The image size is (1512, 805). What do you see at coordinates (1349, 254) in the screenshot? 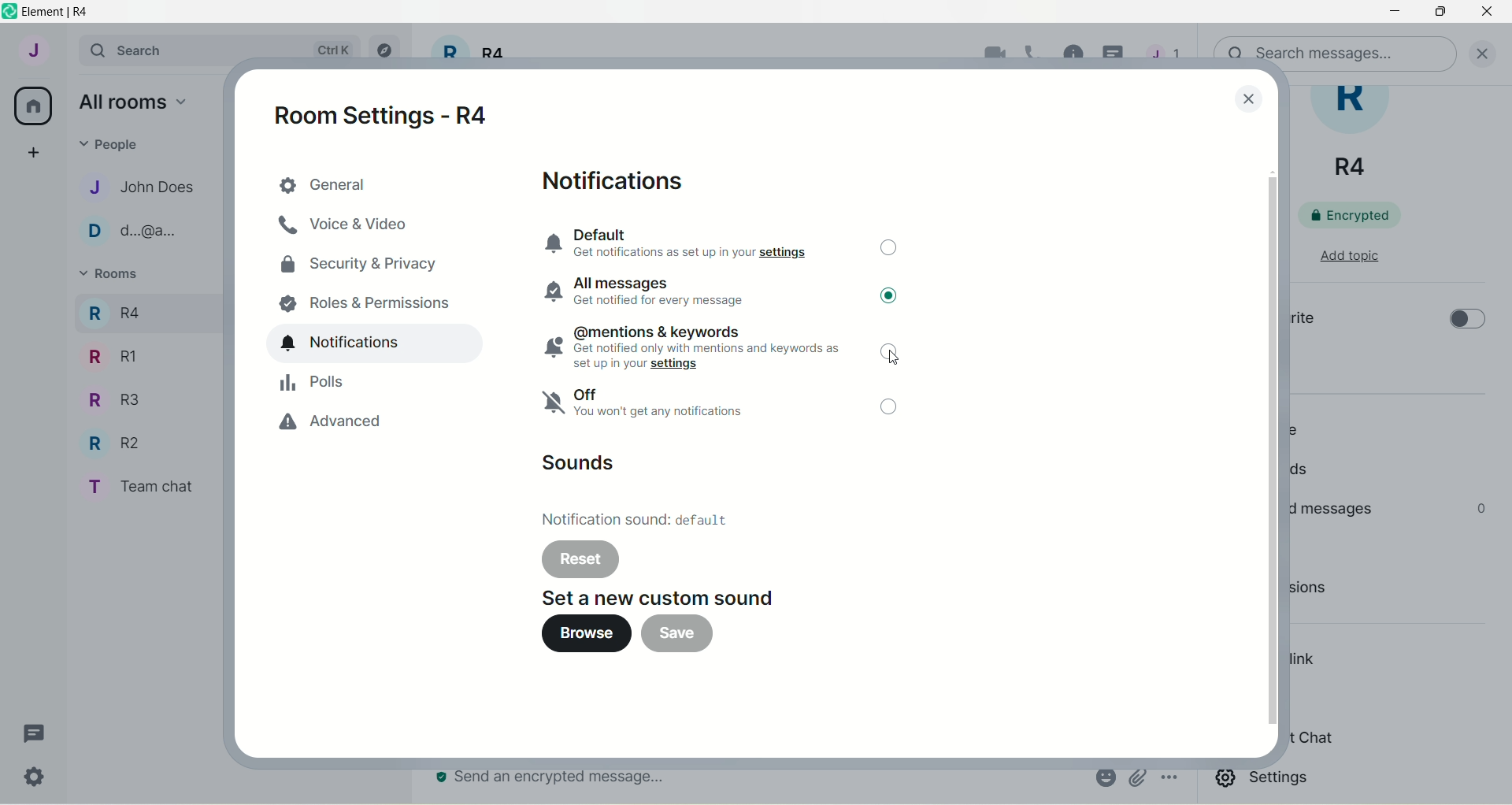
I see `add topic` at bounding box center [1349, 254].